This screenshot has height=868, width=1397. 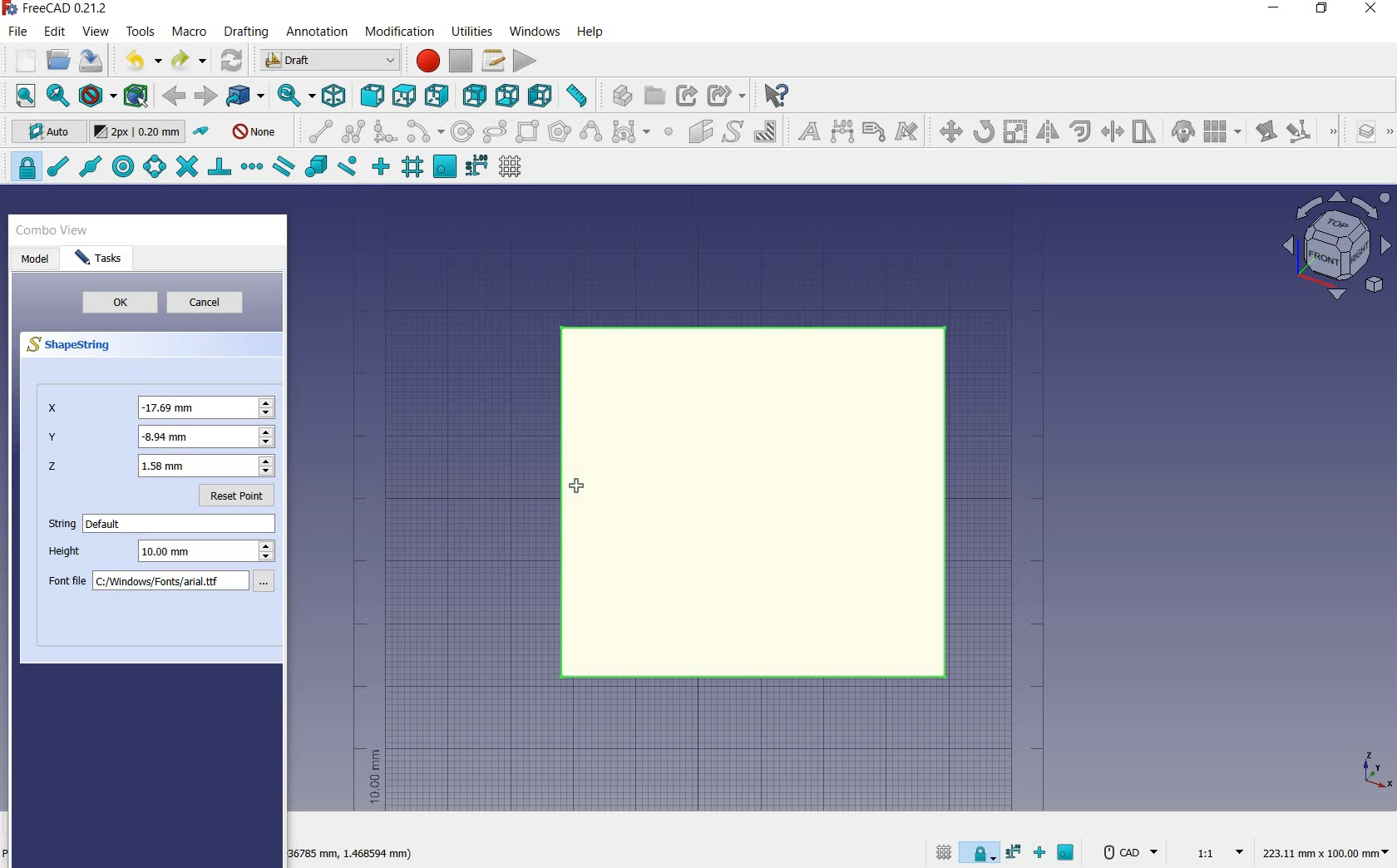 What do you see at coordinates (1376, 770) in the screenshot?
I see `xyz point` at bounding box center [1376, 770].